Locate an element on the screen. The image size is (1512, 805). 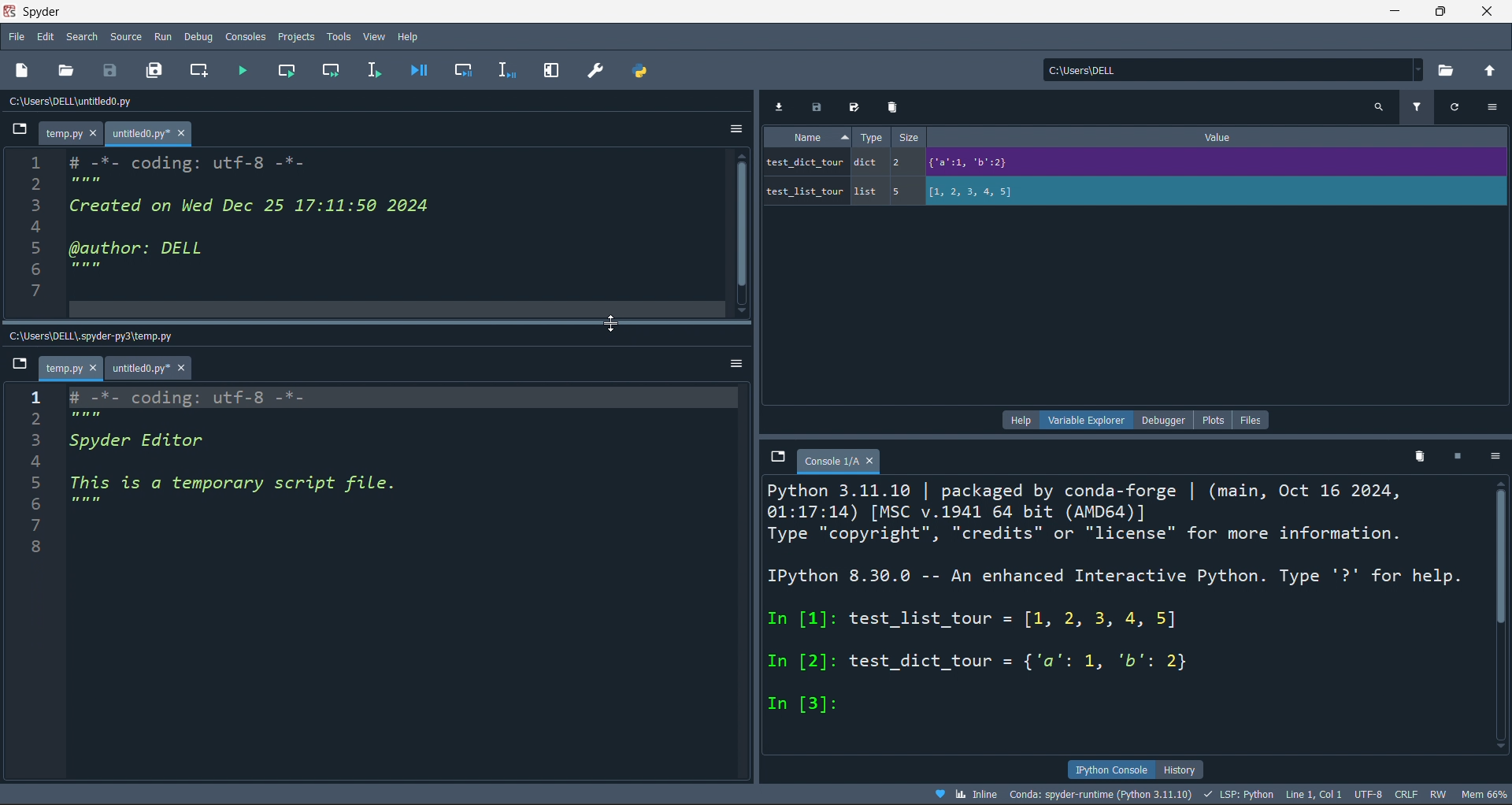
create new cell is located at coordinates (202, 69).